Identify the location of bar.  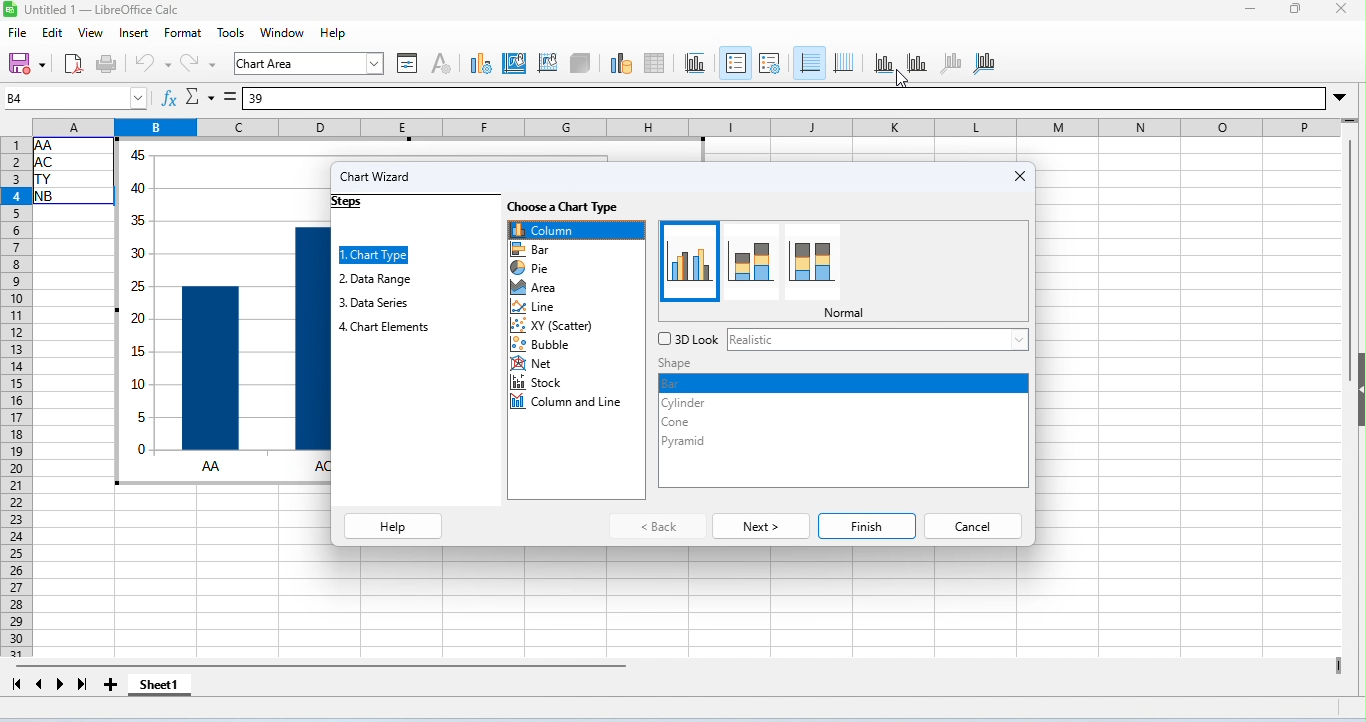
(563, 251).